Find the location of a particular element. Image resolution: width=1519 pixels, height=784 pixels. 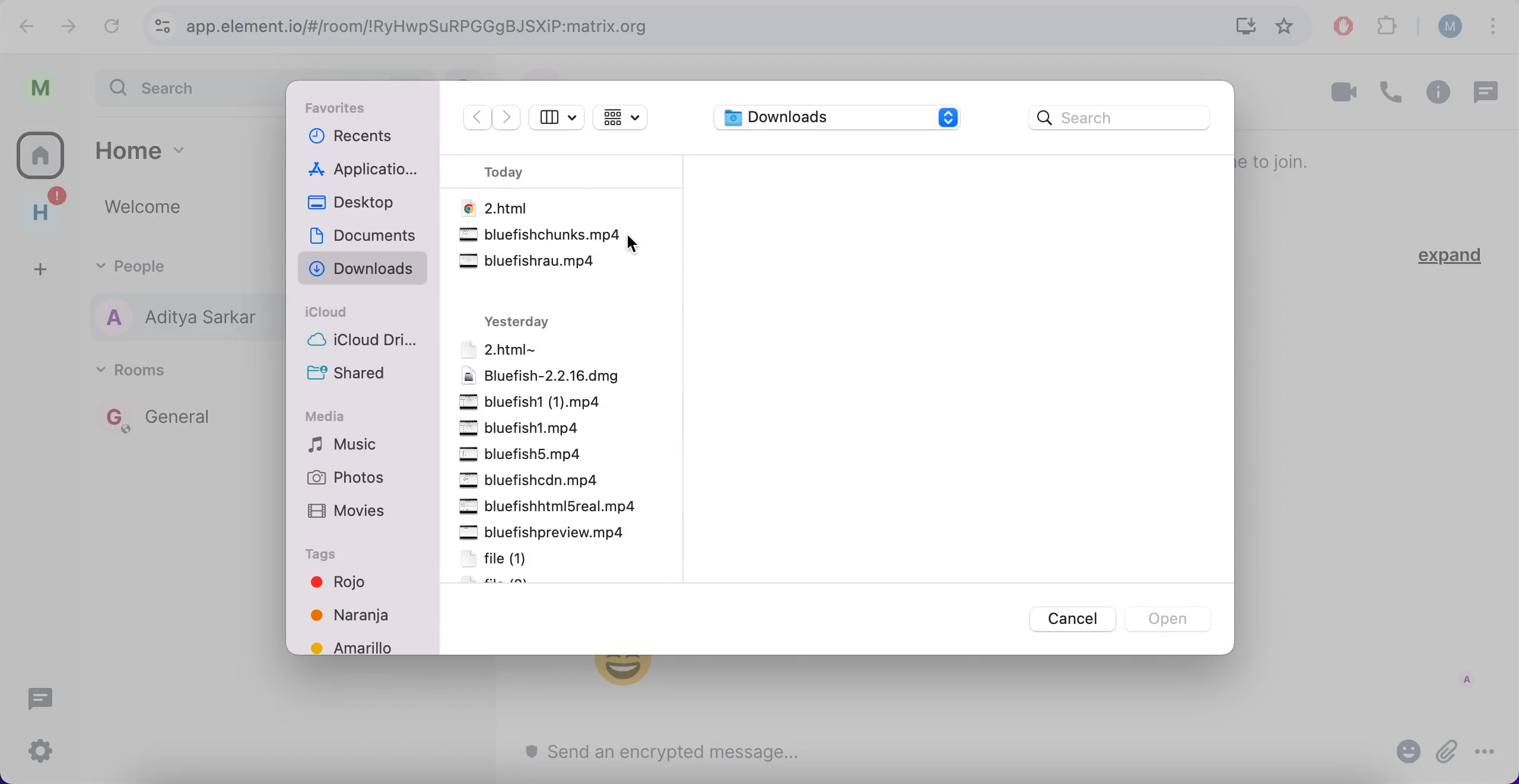

chat is located at coordinates (45, 700).